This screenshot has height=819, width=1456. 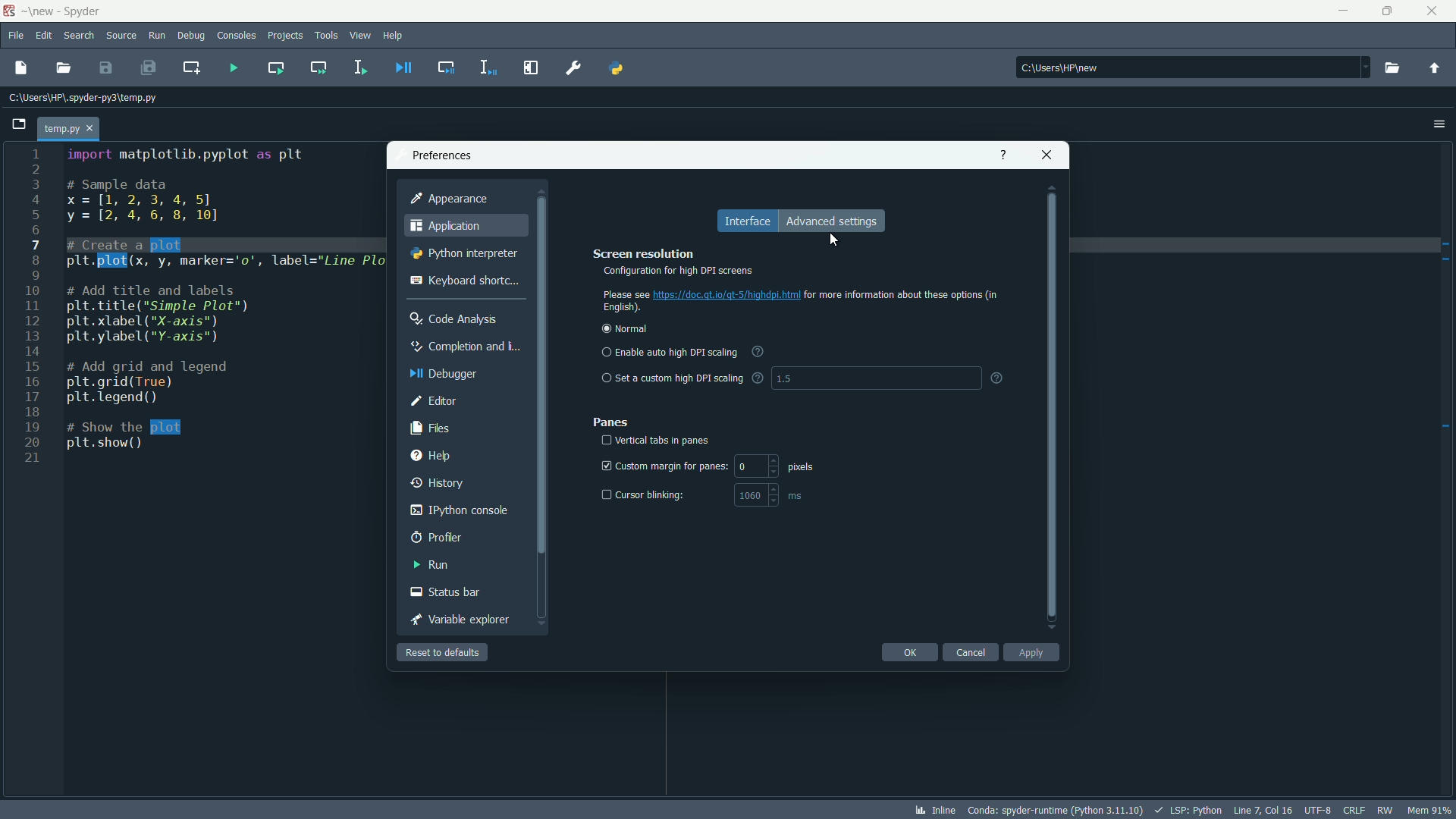 What do you see at coordinates (742, 466) in the screenshot?
I see `0` at bounding box center [742, 466].